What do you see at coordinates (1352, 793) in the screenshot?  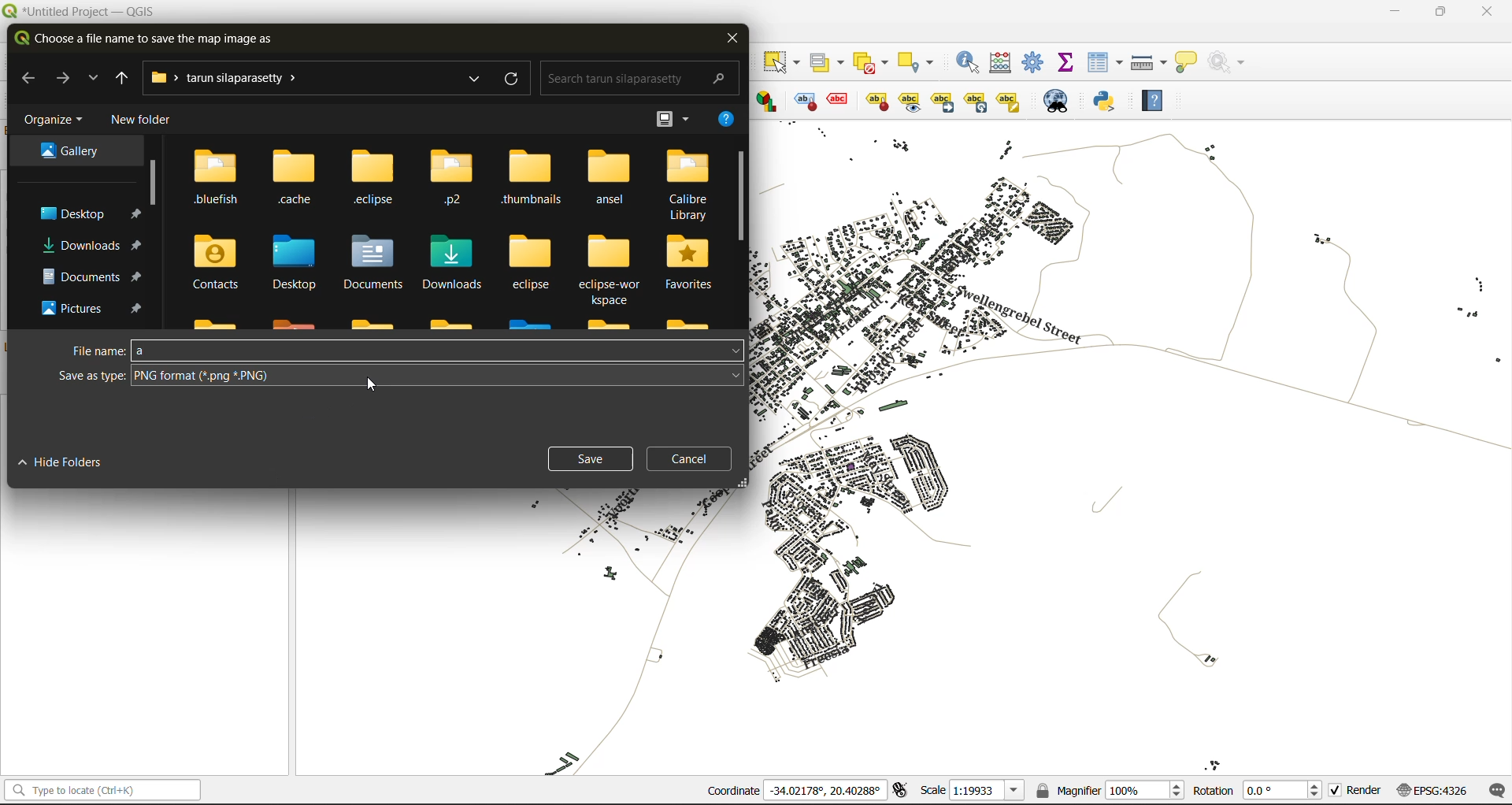 I see `render` at bounding box center [1352, 793].